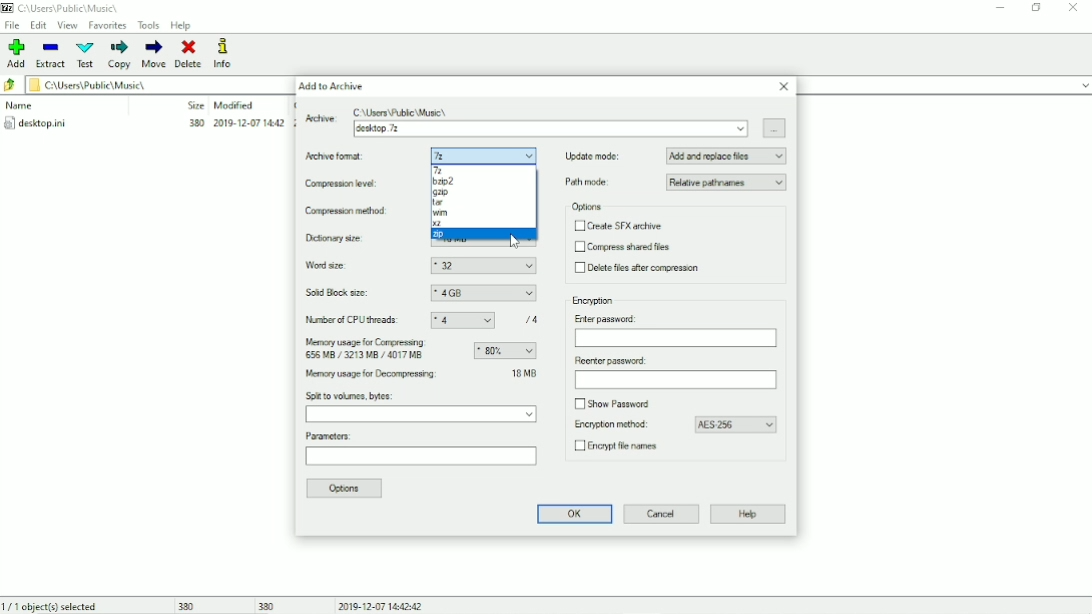 The height and width of the screenshot is (614, 1092). What do you see at coordinates (641, 269) in the screenshot?
I see `Delete files after compression` at bounding box center [641, 269].